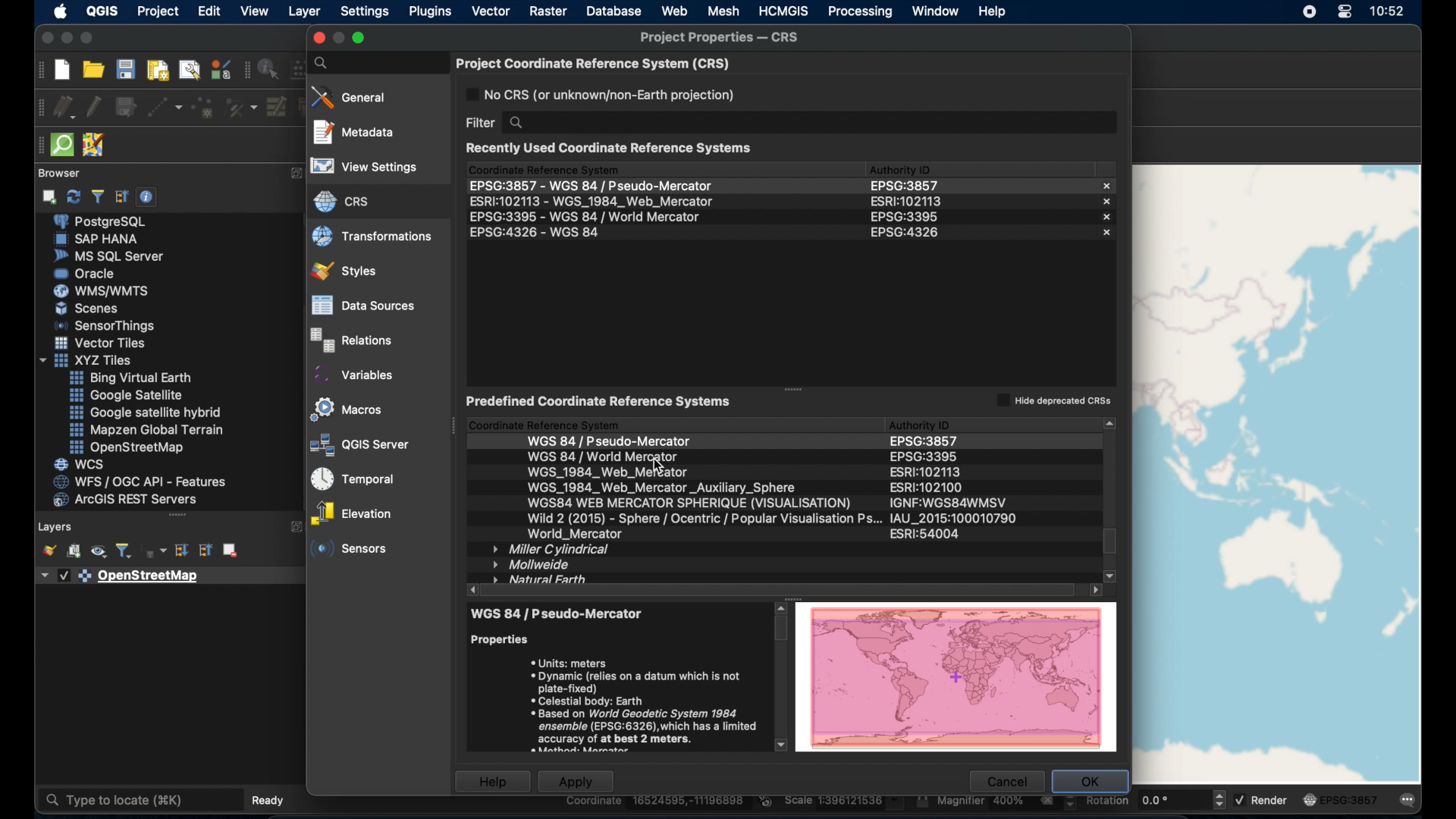 The image size is (1456, 819). What do you see at coordinates (293, 173) in the screenshot?
I see `expand` at bounding box center [293, 173].